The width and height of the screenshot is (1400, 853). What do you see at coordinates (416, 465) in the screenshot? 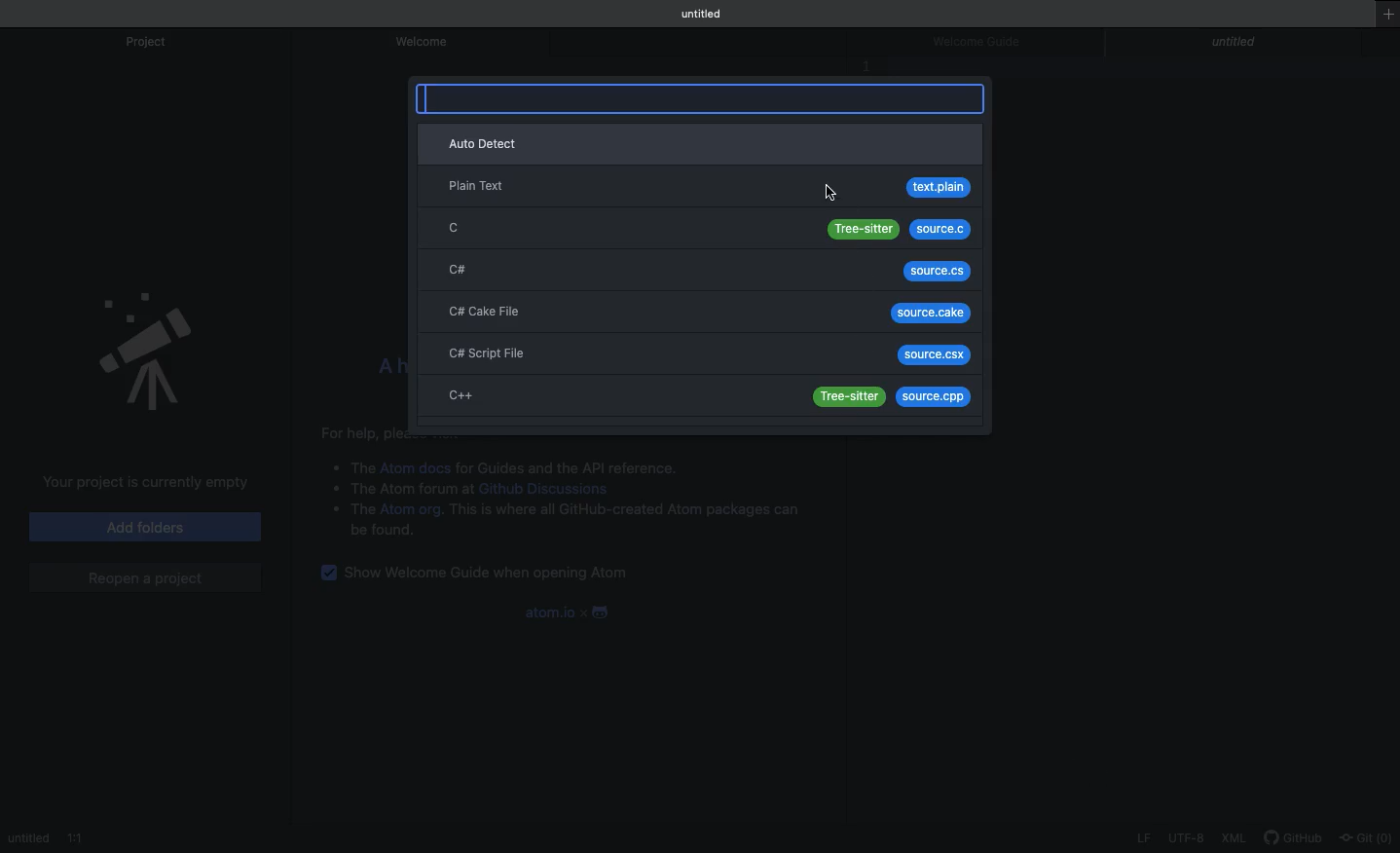
I see `Atom docs Link` at bounding box center [416, 465].